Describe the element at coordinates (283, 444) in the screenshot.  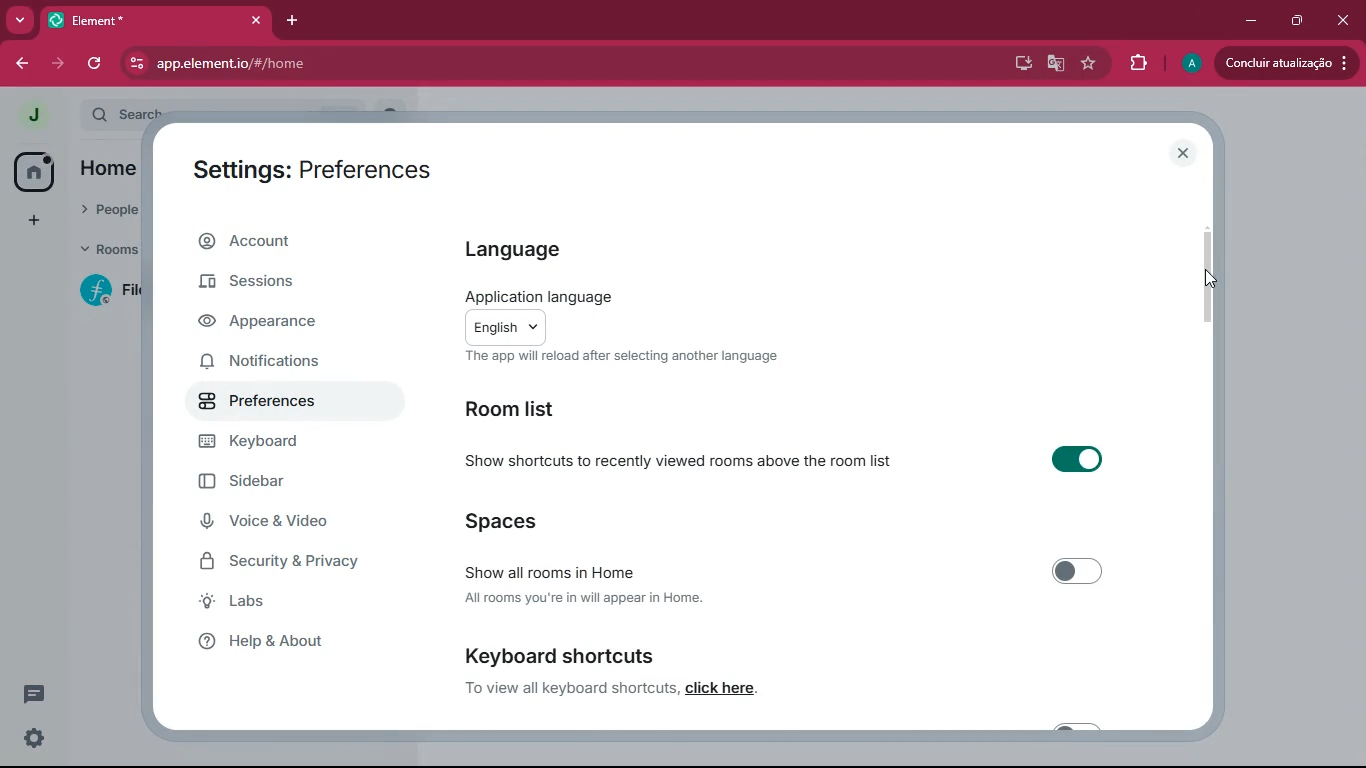
I see `keyboard ` at that location.